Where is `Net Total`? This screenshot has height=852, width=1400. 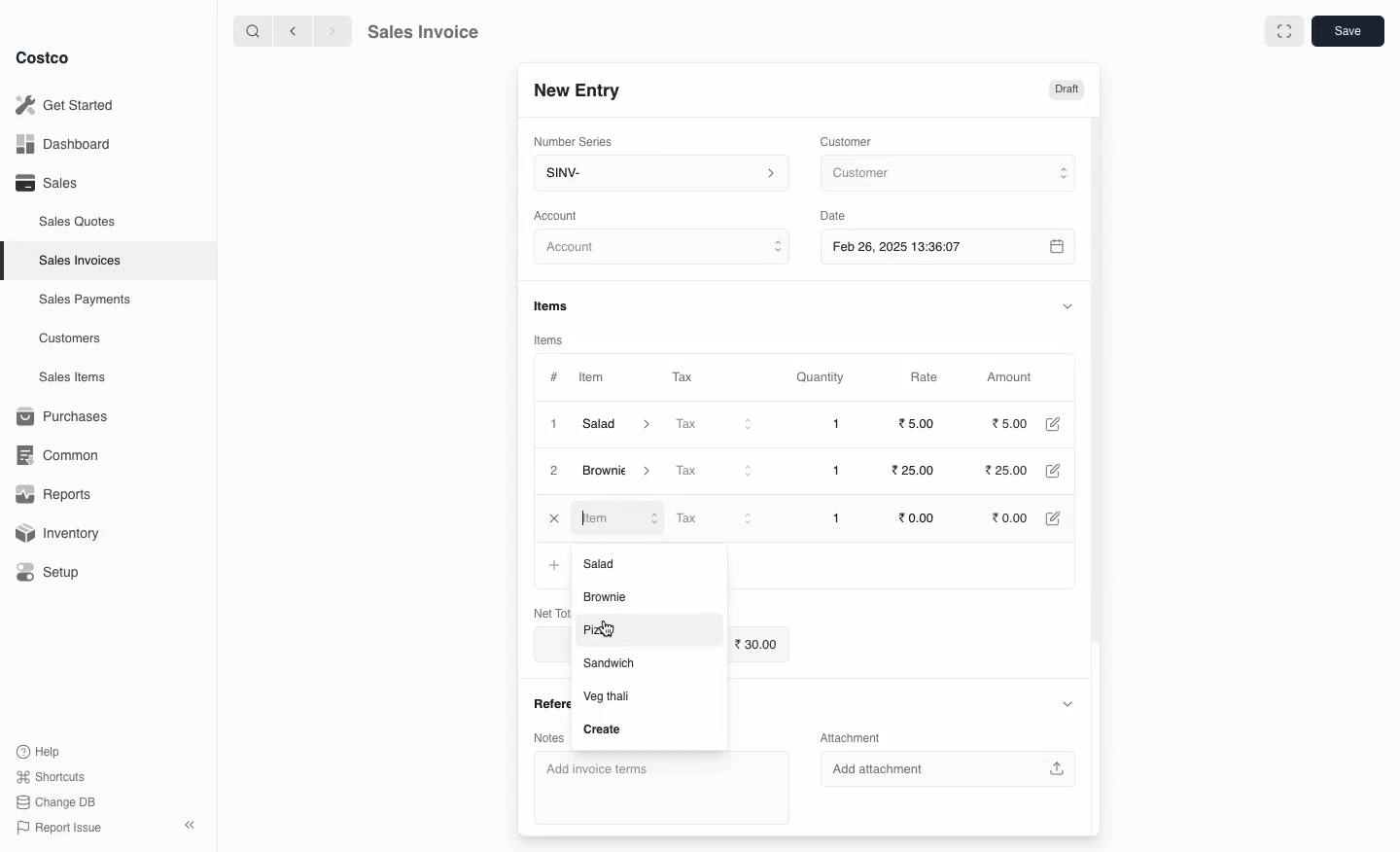 Net Total is located at coordinates (540, 611).